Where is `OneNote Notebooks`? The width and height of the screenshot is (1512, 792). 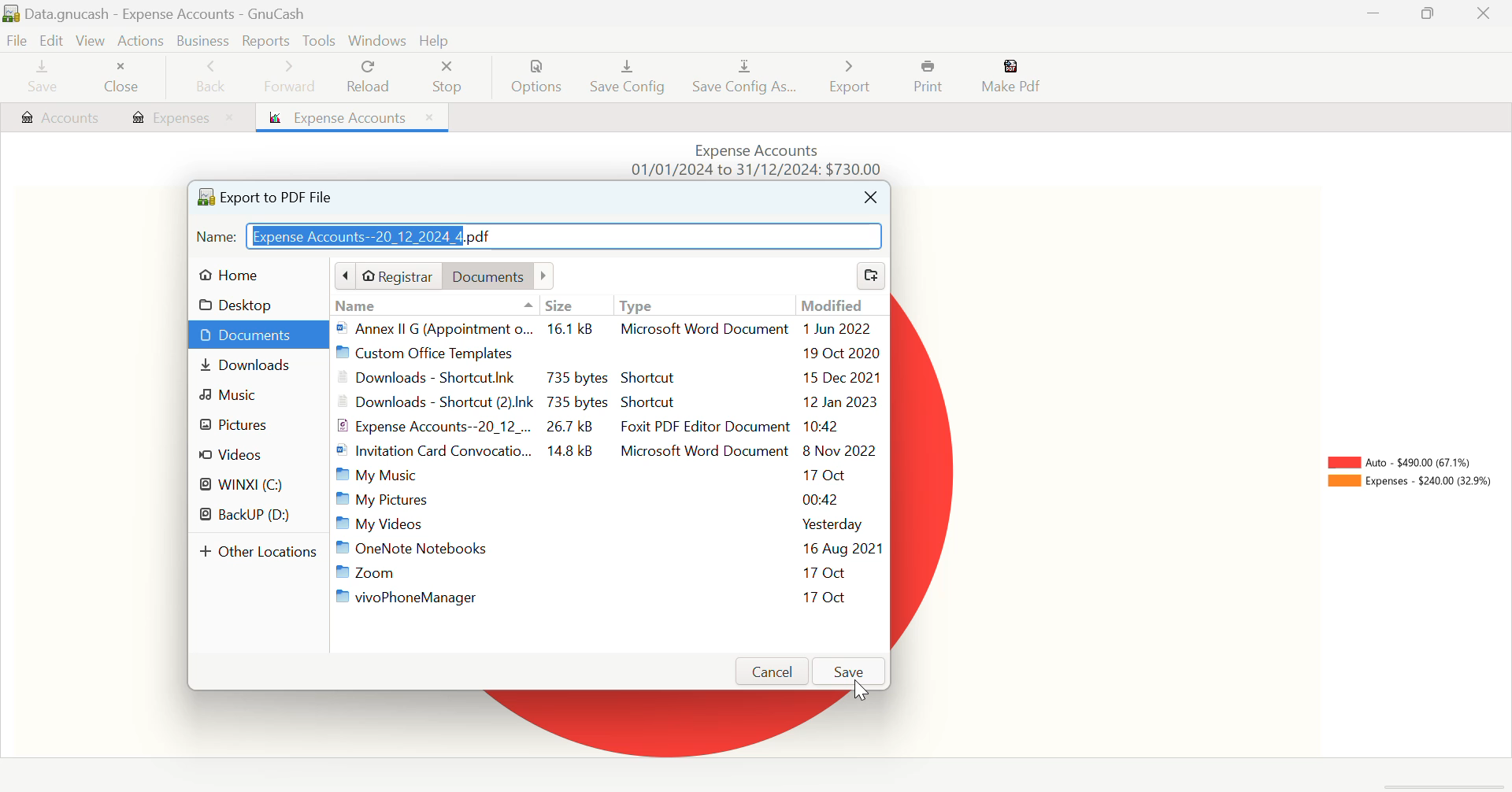 OneNote Notebooks is located at coordinates (612, 550).